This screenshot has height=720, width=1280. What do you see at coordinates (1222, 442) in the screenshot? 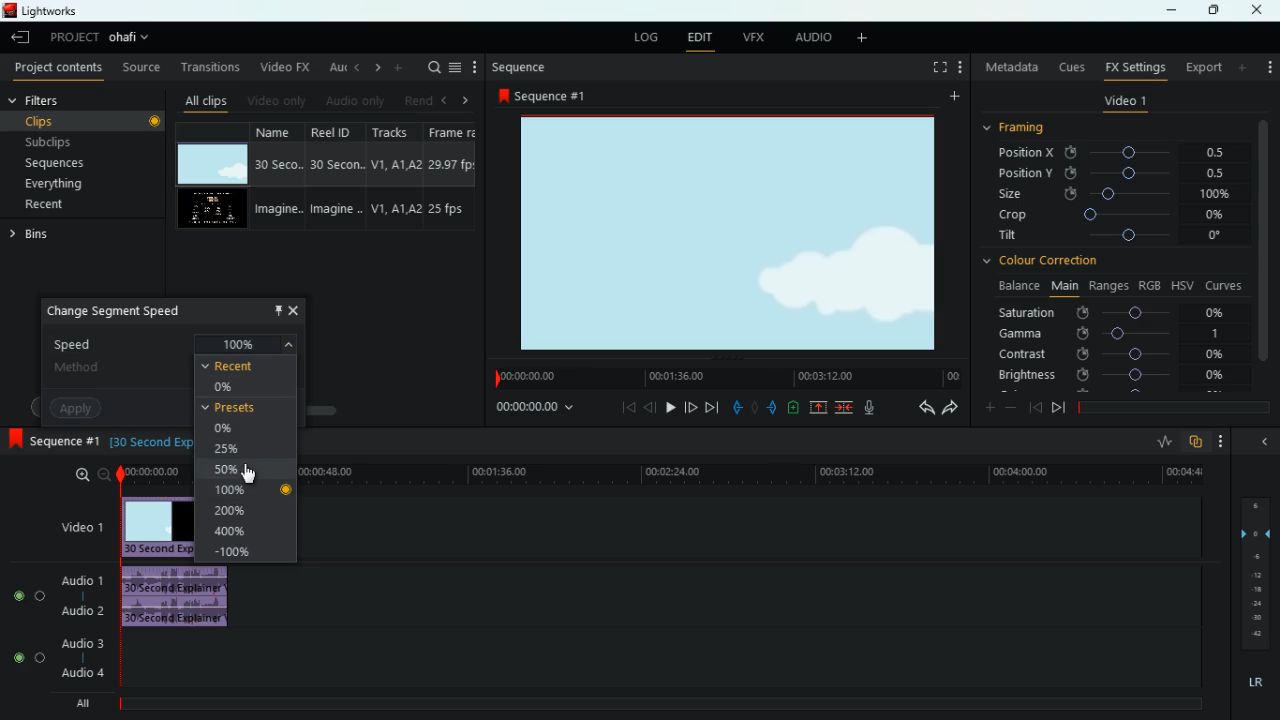
I see `more` at bounding box center [1222, 442].